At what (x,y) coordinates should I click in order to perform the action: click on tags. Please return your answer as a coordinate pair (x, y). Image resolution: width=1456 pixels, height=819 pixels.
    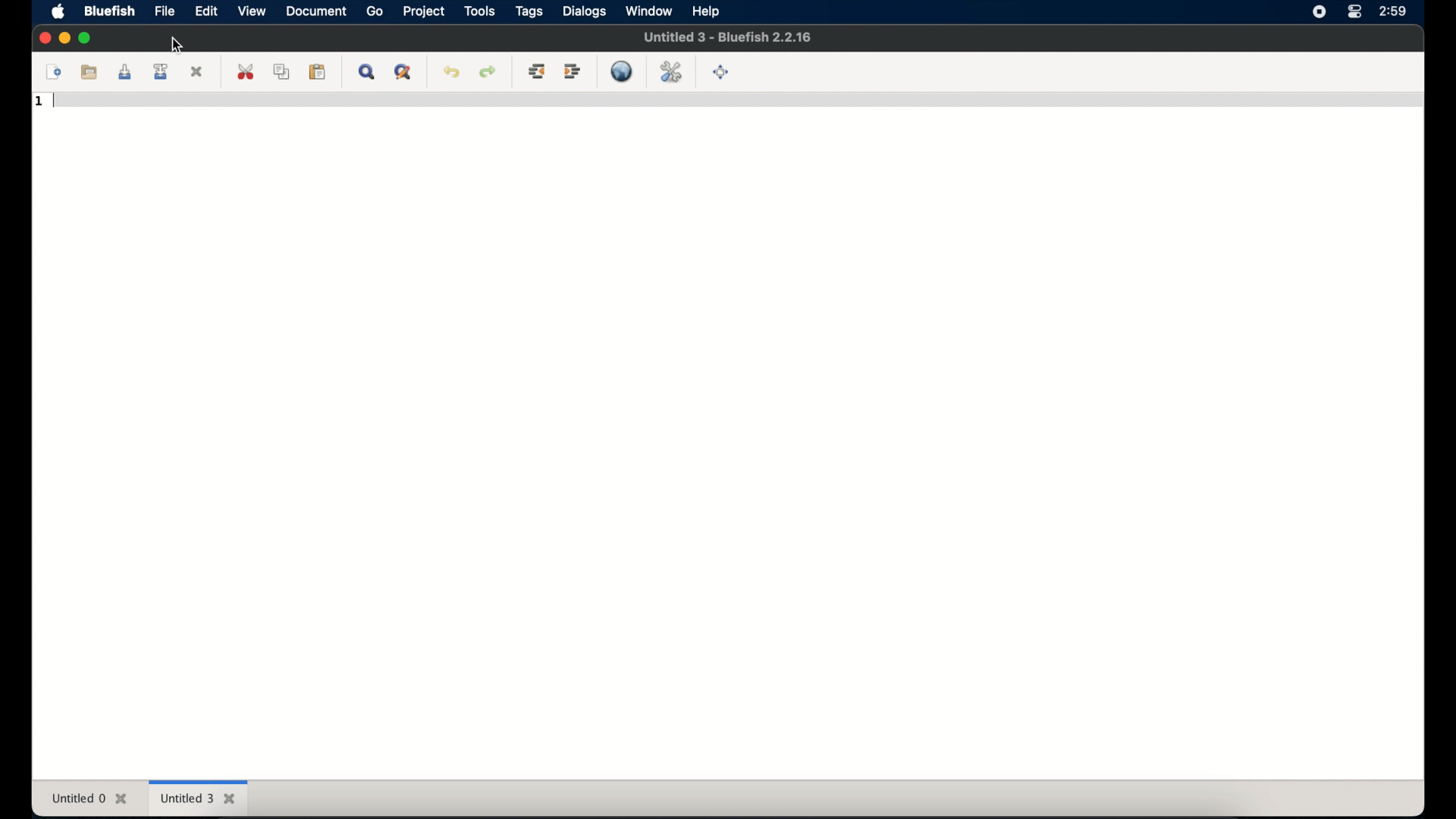
    Looking at the image, I should click on (530, 11).